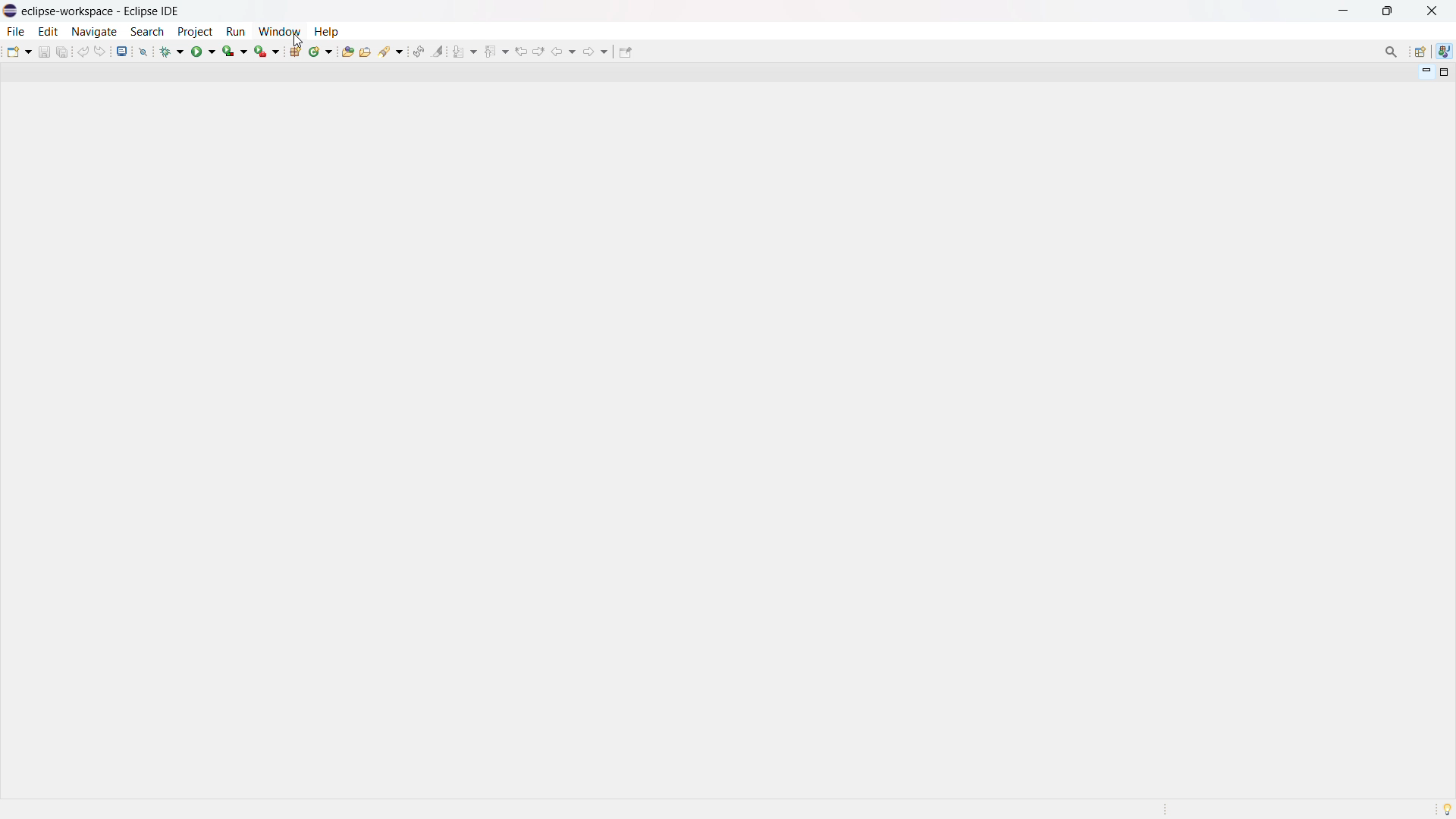 The image size is (1456, 819). What do you see at coordinates (194, 32) in the screenshot?
I see `project` at bounding box center [194, 32].